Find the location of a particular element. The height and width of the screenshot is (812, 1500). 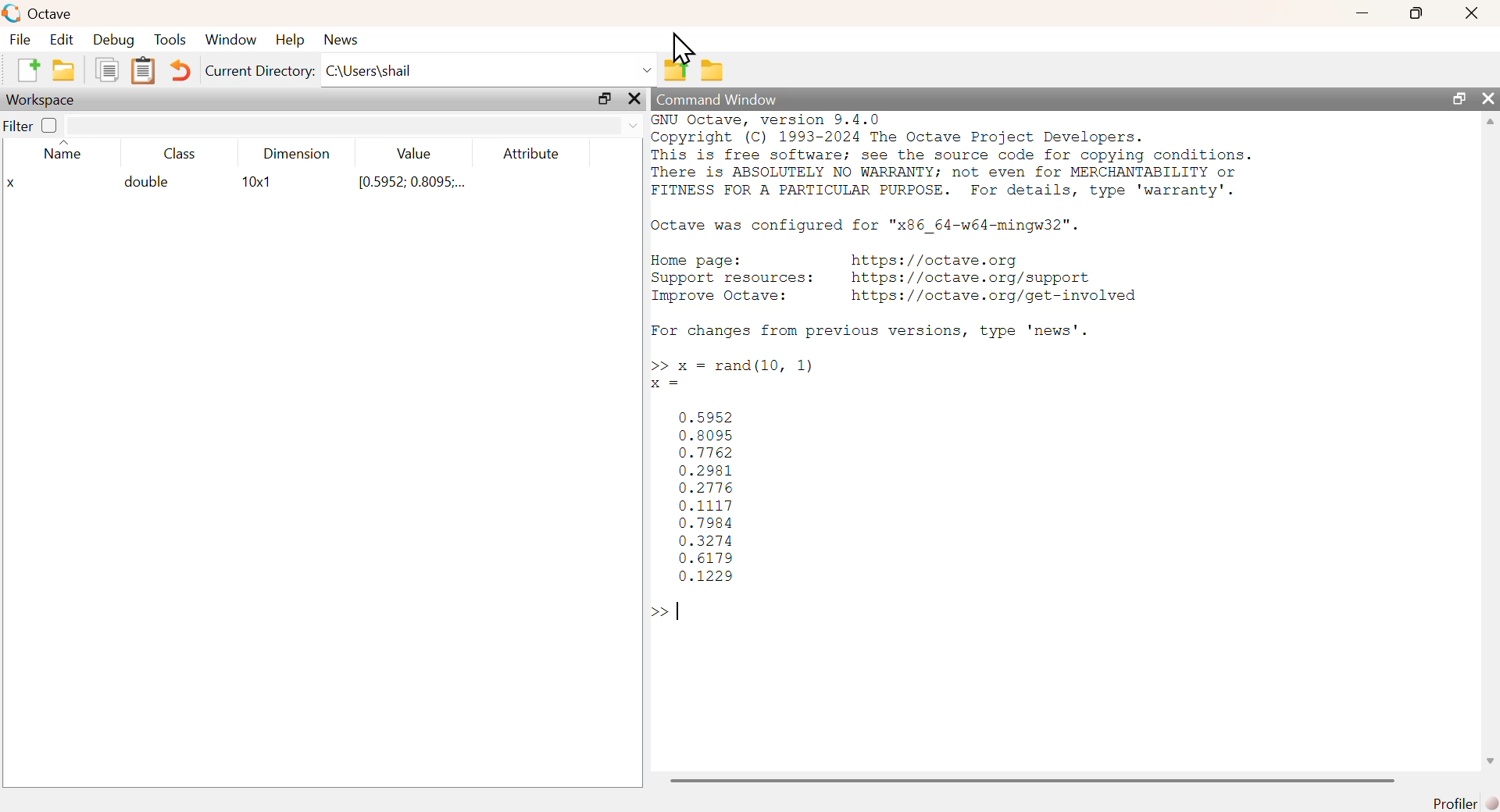

commands is located at coordinates (959, 373).